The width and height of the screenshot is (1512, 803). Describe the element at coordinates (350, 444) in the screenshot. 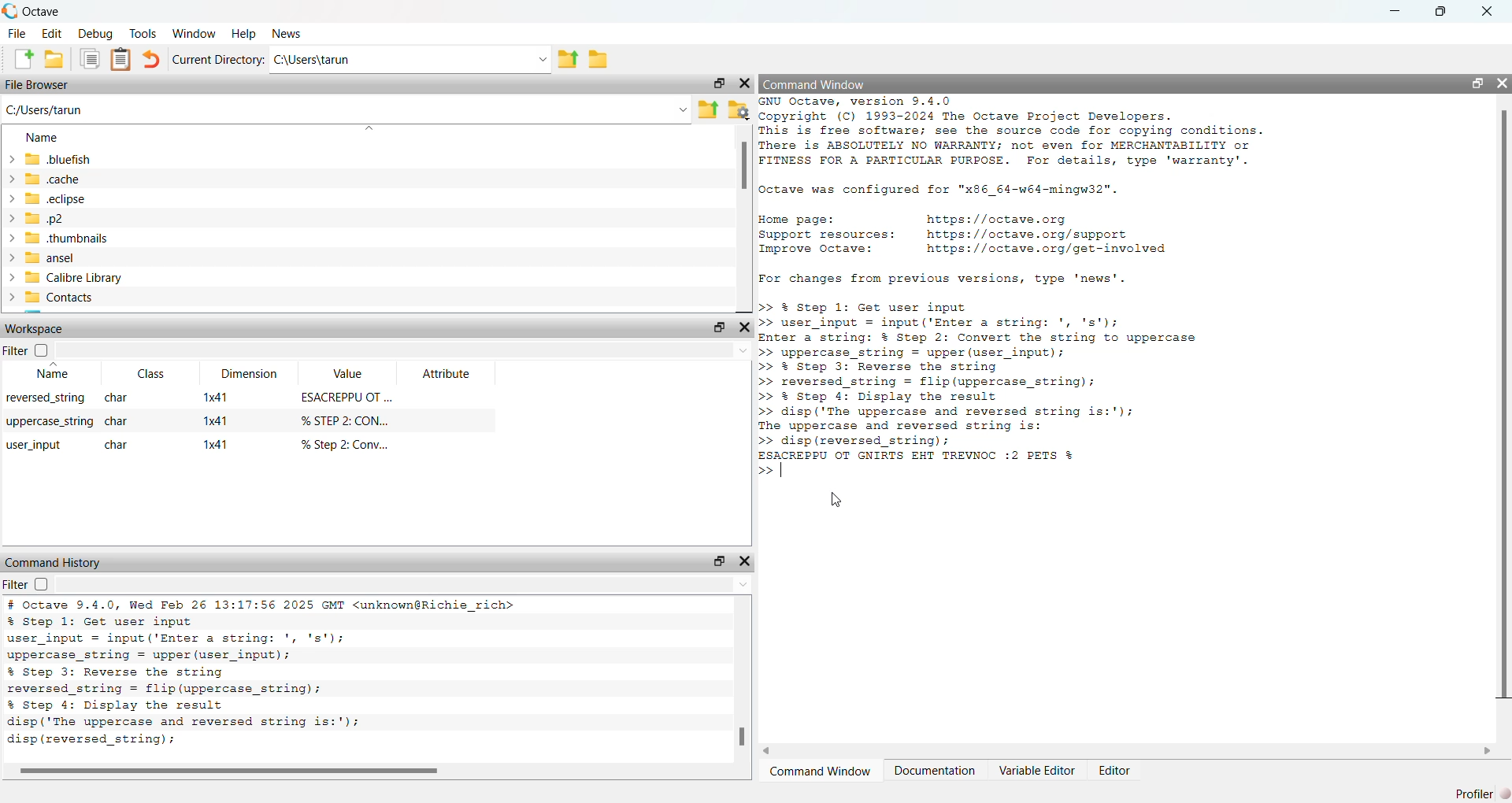

I see `% step 2: Conv...` at that location.